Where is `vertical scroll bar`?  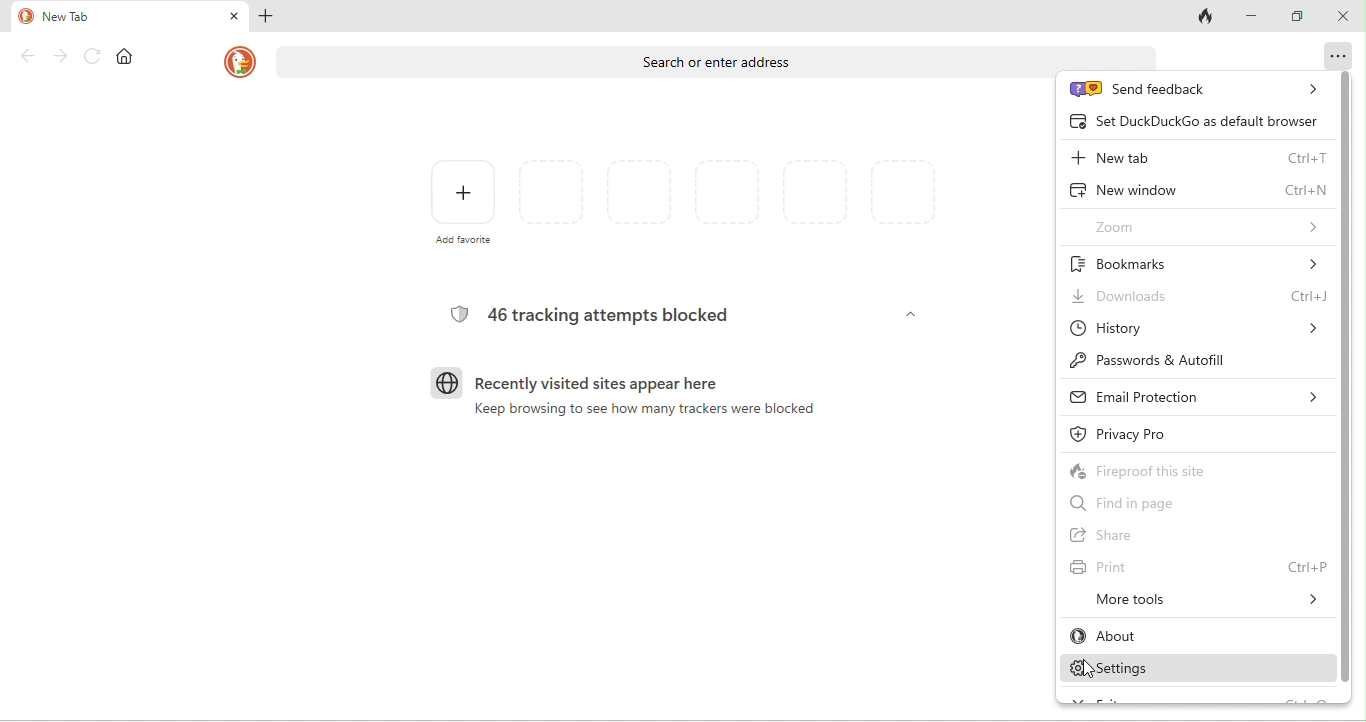 vertical scroll bar is located at coordinates (1345, 376).